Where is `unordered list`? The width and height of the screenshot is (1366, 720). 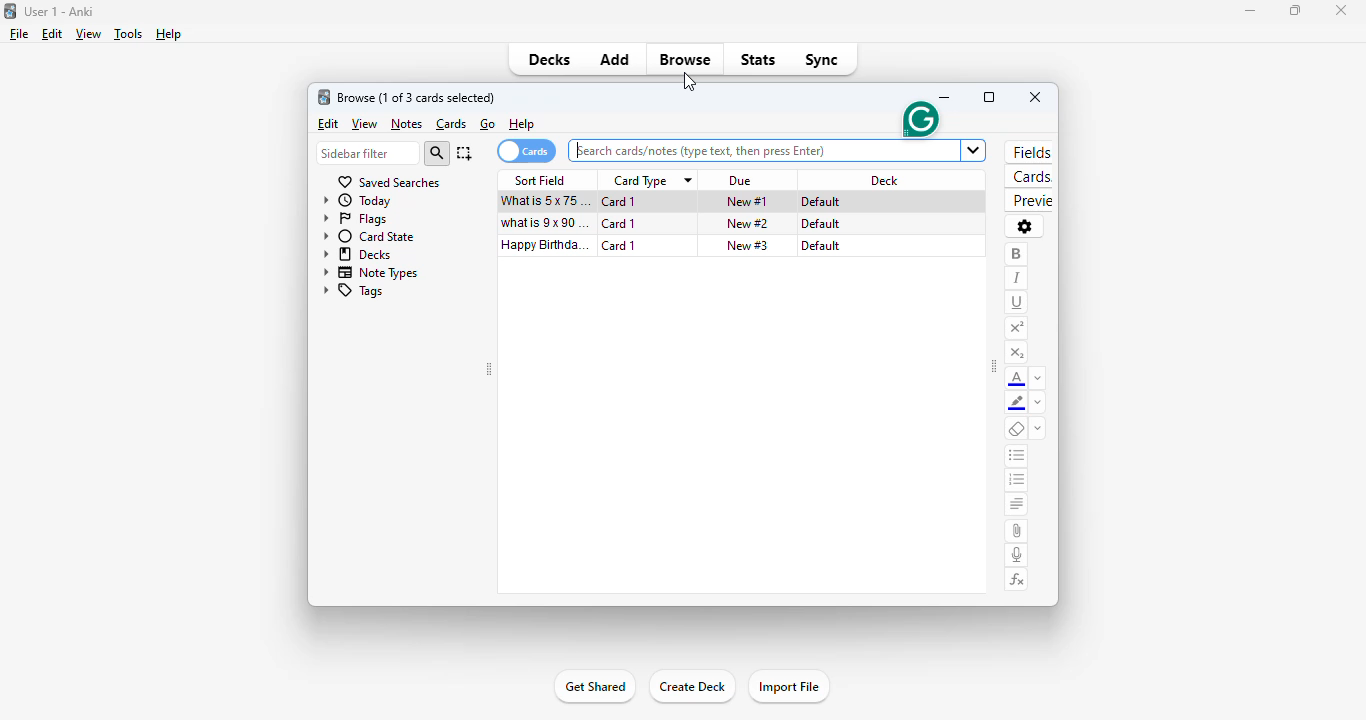
unordered list is located at coordinates (1017, 456).